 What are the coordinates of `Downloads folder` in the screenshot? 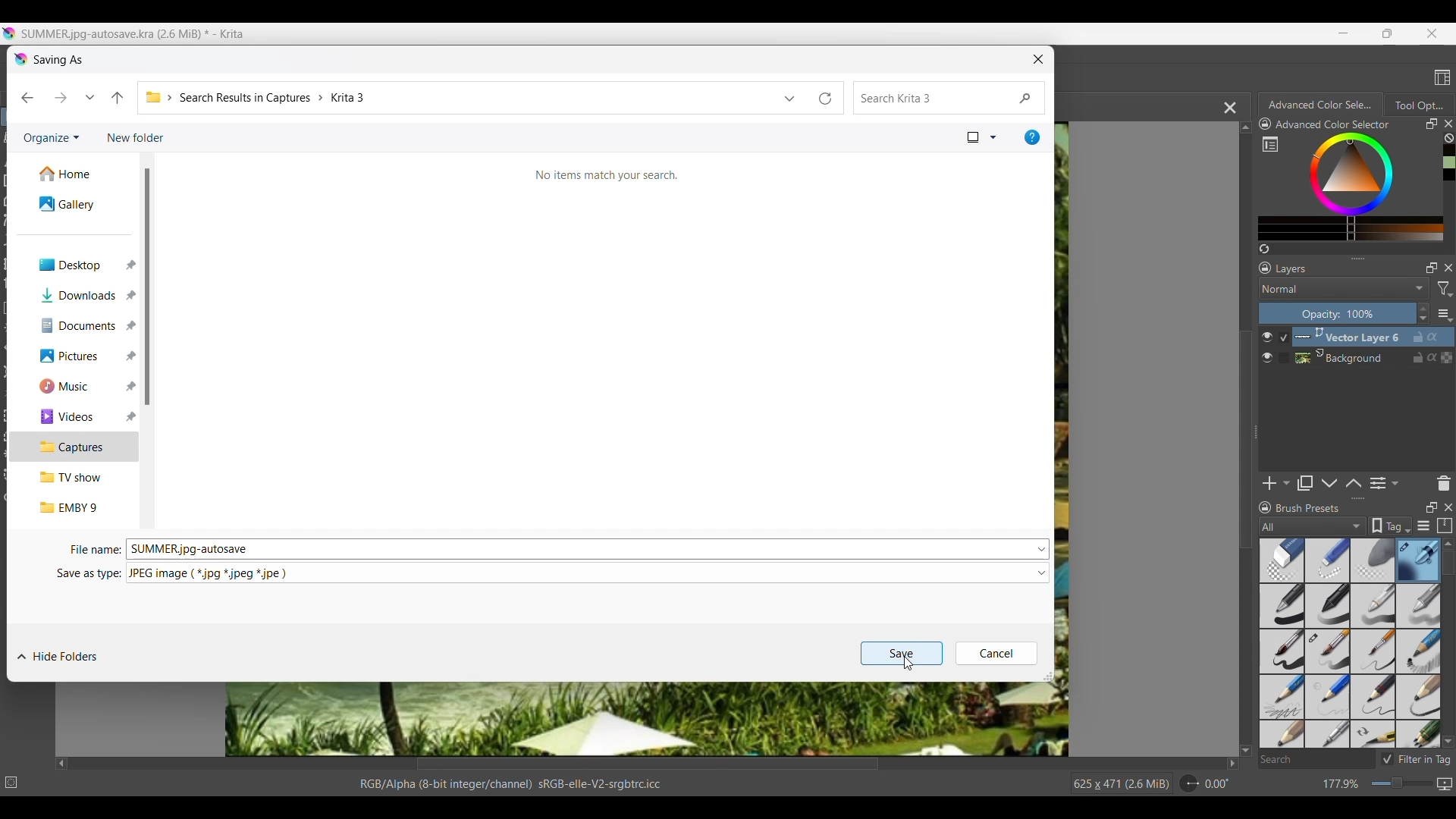 It's located at (74, 296).